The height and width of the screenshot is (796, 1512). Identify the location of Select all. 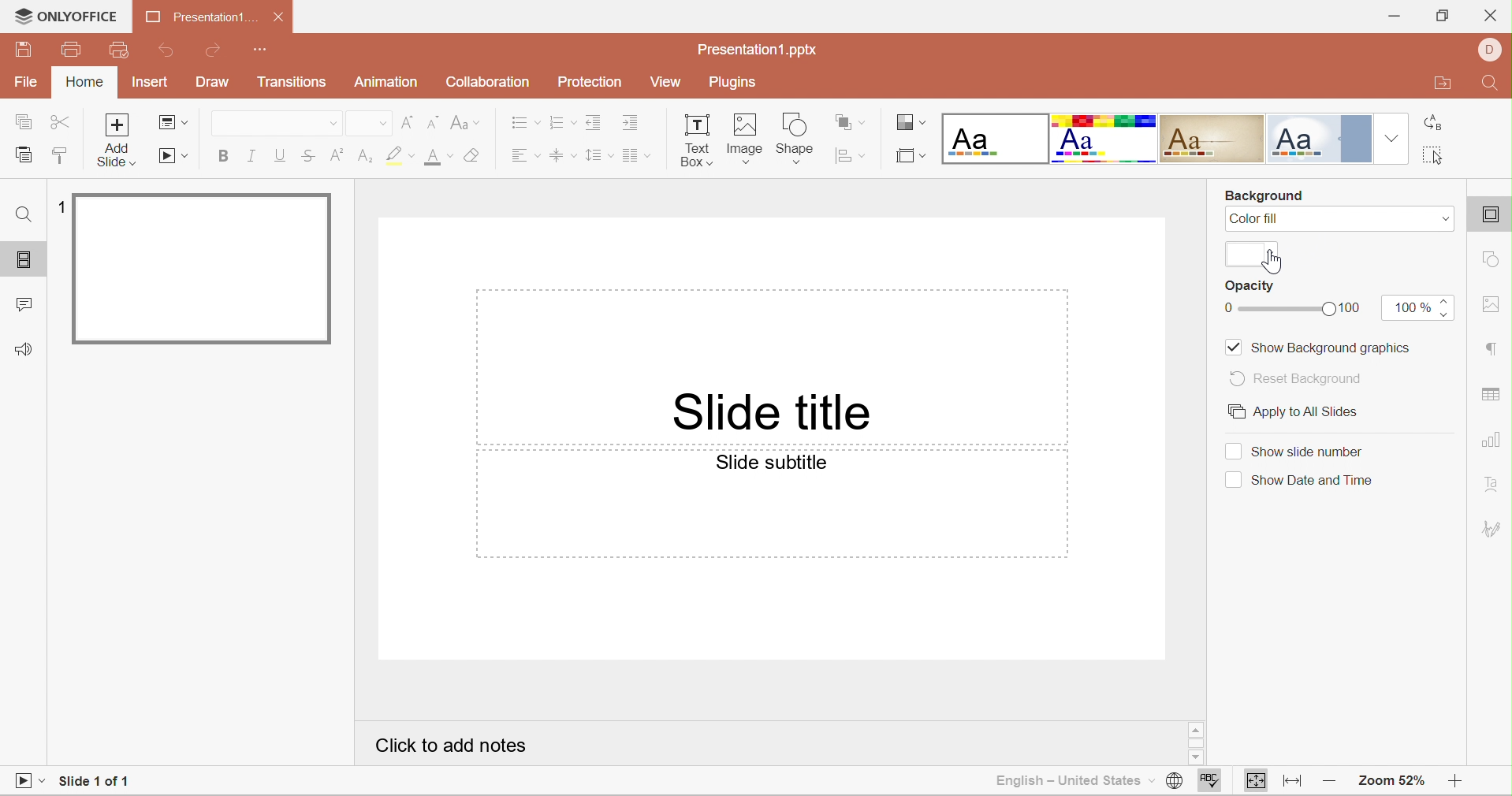
(1435, 158).